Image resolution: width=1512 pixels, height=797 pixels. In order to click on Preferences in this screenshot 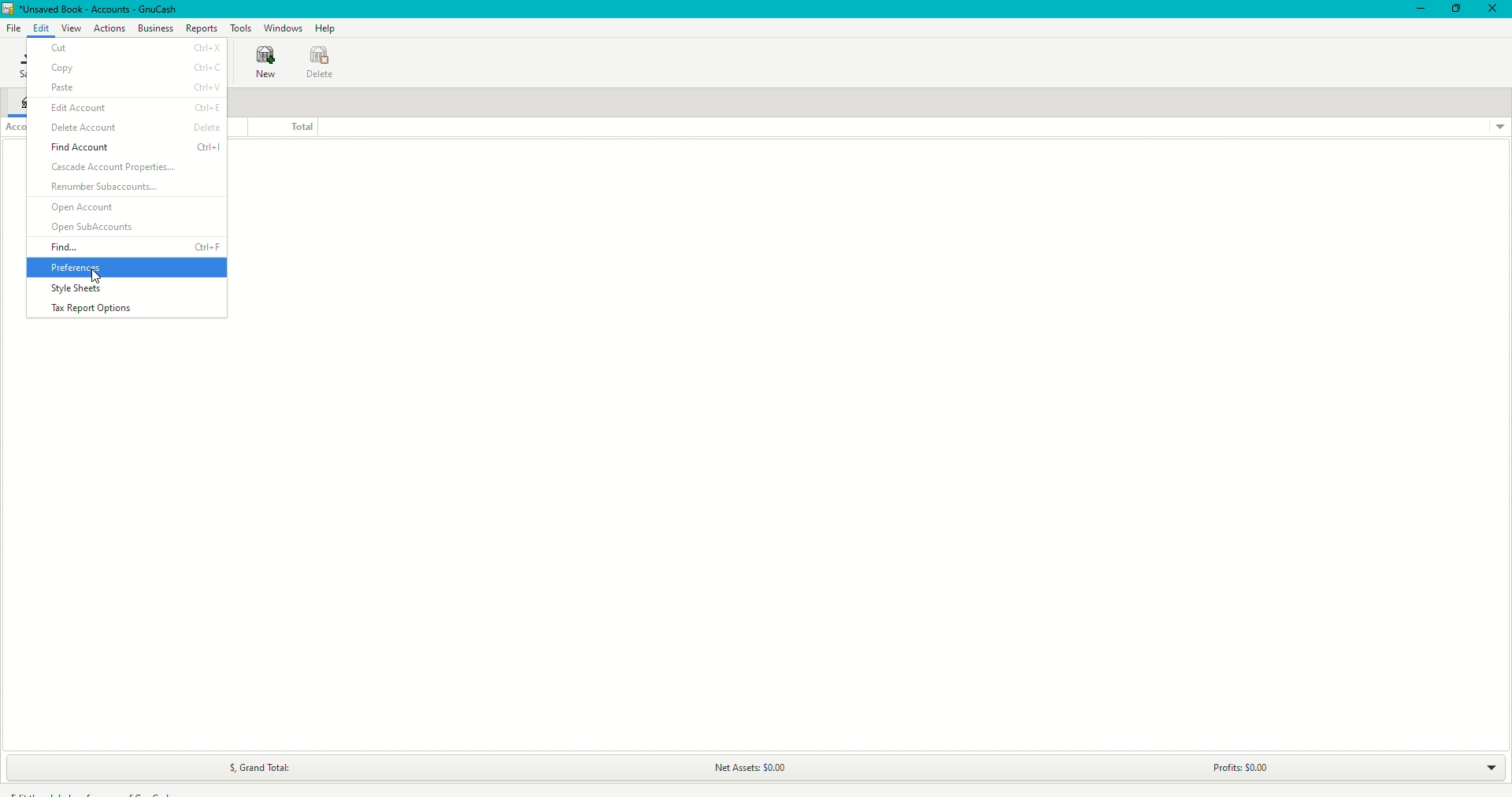, I will do `click(87, 267)`.